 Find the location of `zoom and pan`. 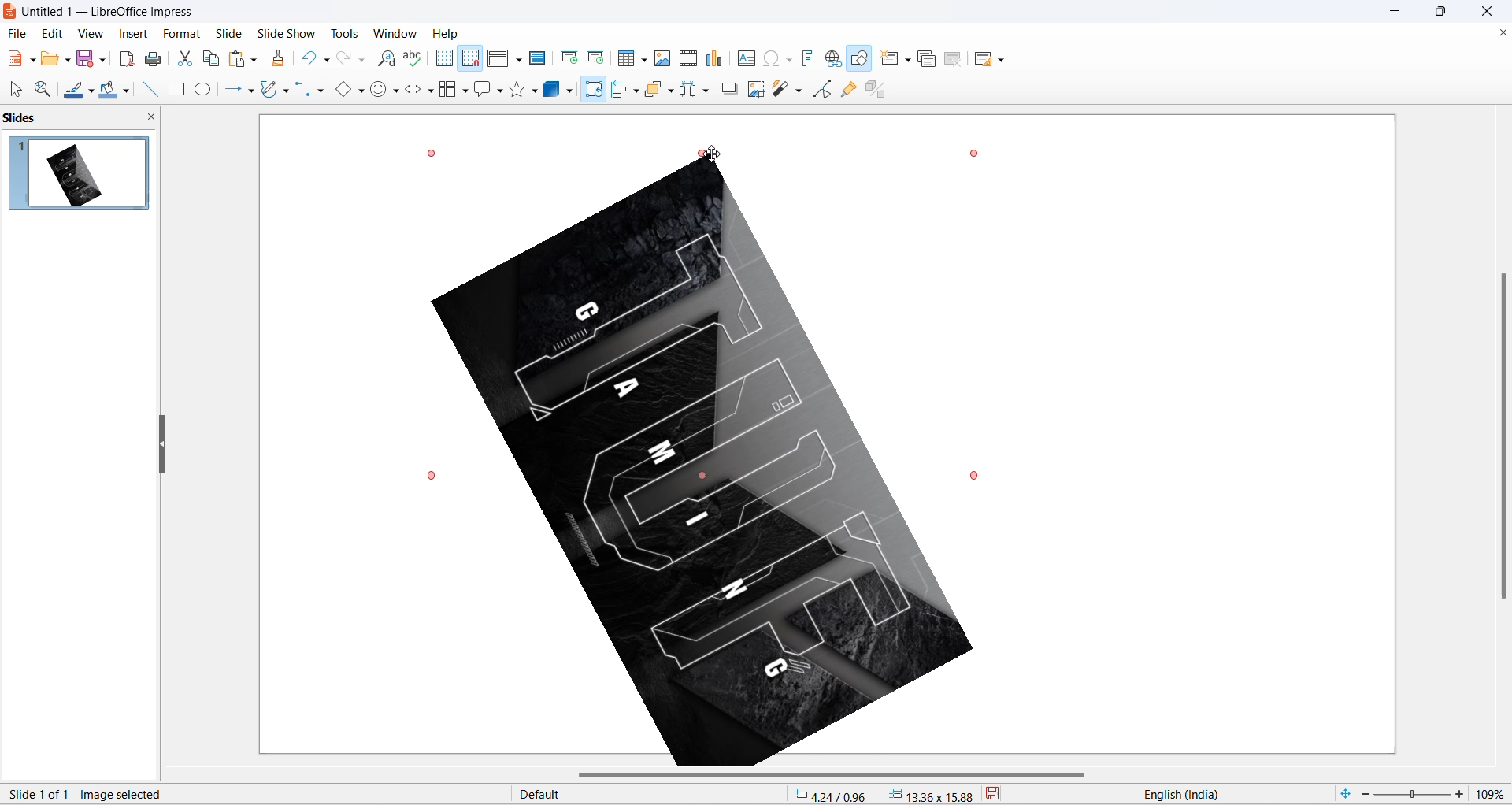

zoom and pan is located at coordinates (41, 90).